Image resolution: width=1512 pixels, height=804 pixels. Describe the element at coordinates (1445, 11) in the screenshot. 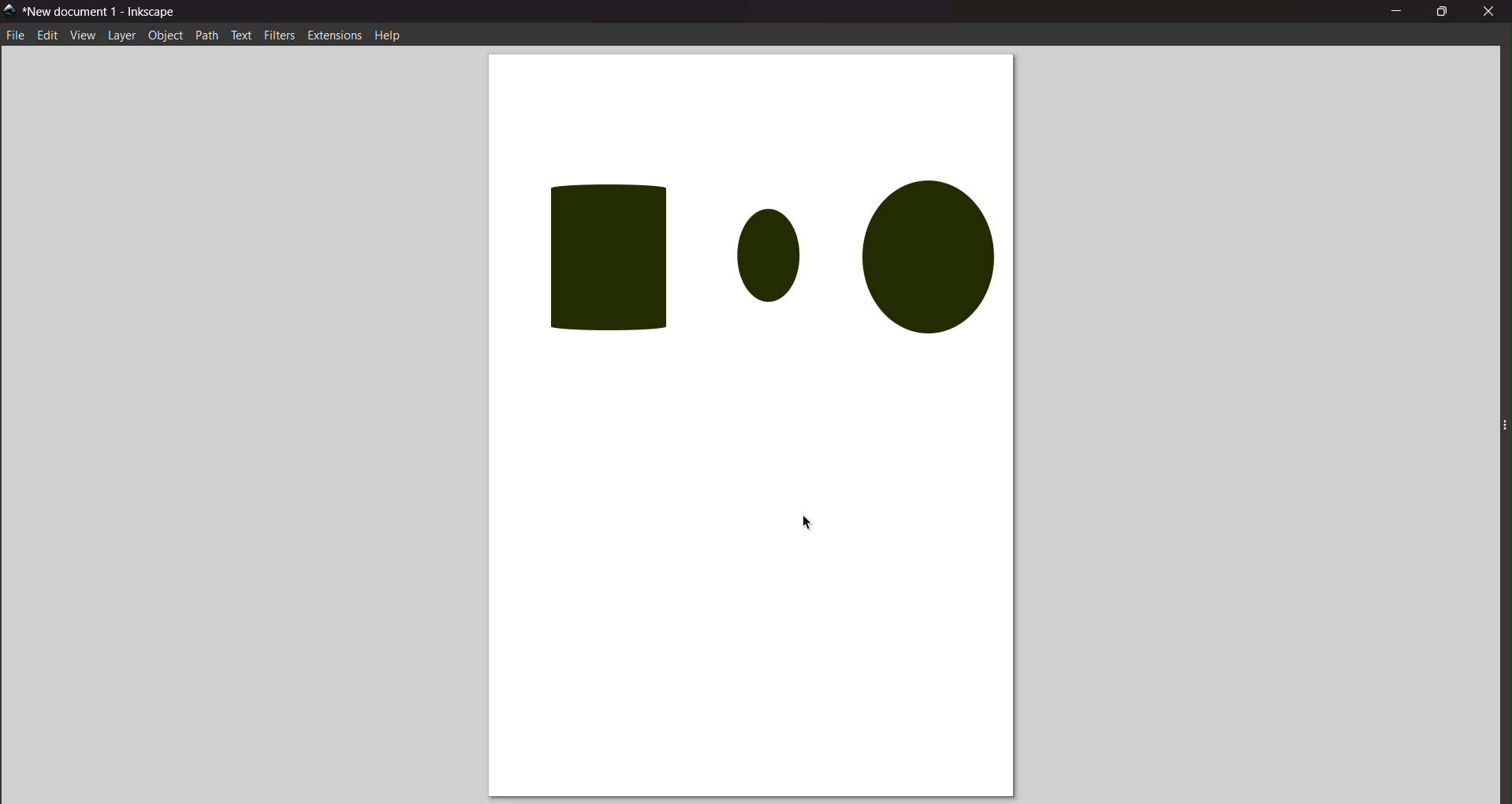

I see `maximize` at that location.